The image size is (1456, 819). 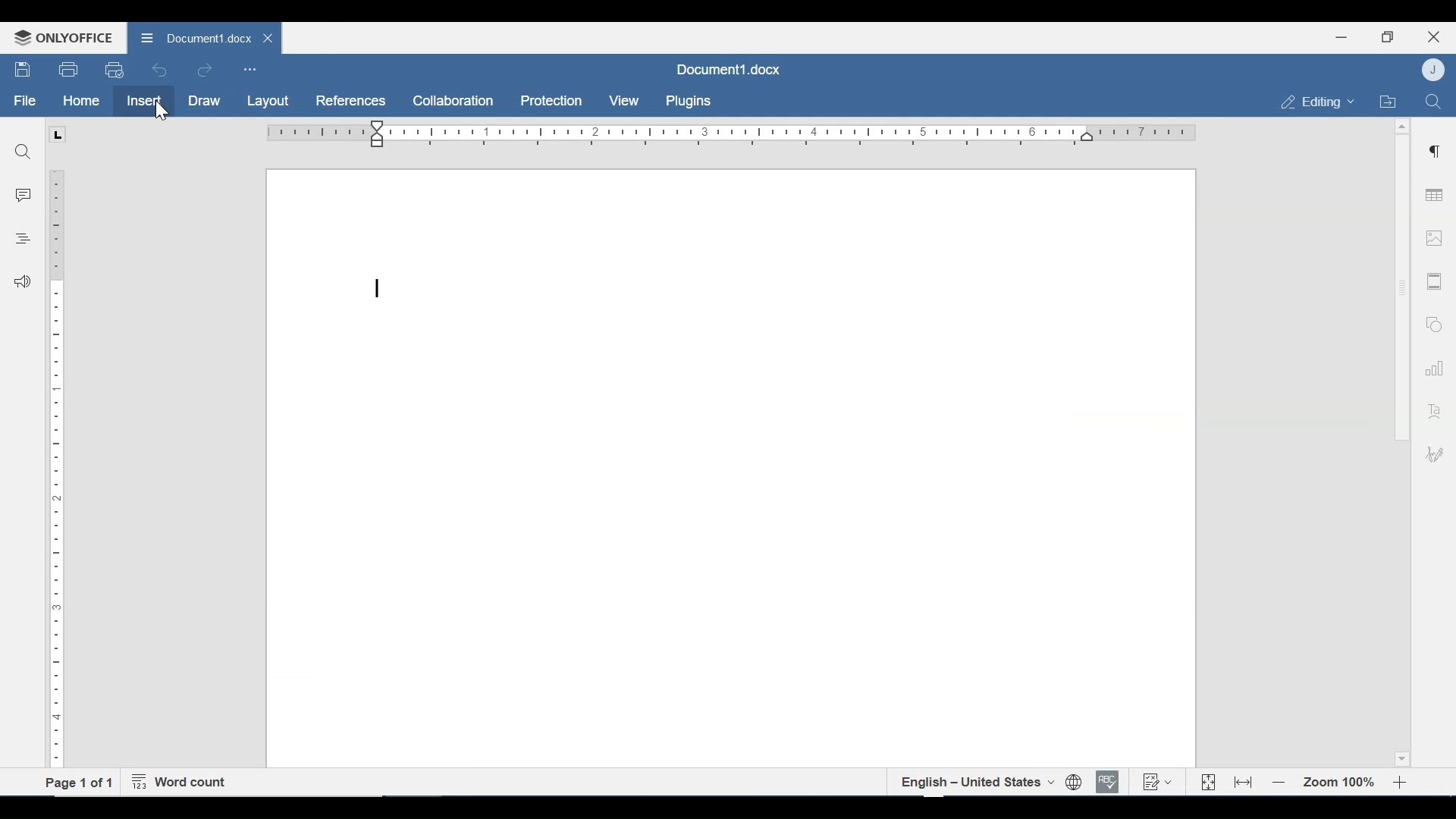 What do you see at coordinates (183, 783) in the screenshot?
I see `Word Count` at bounding box center [183, 783].